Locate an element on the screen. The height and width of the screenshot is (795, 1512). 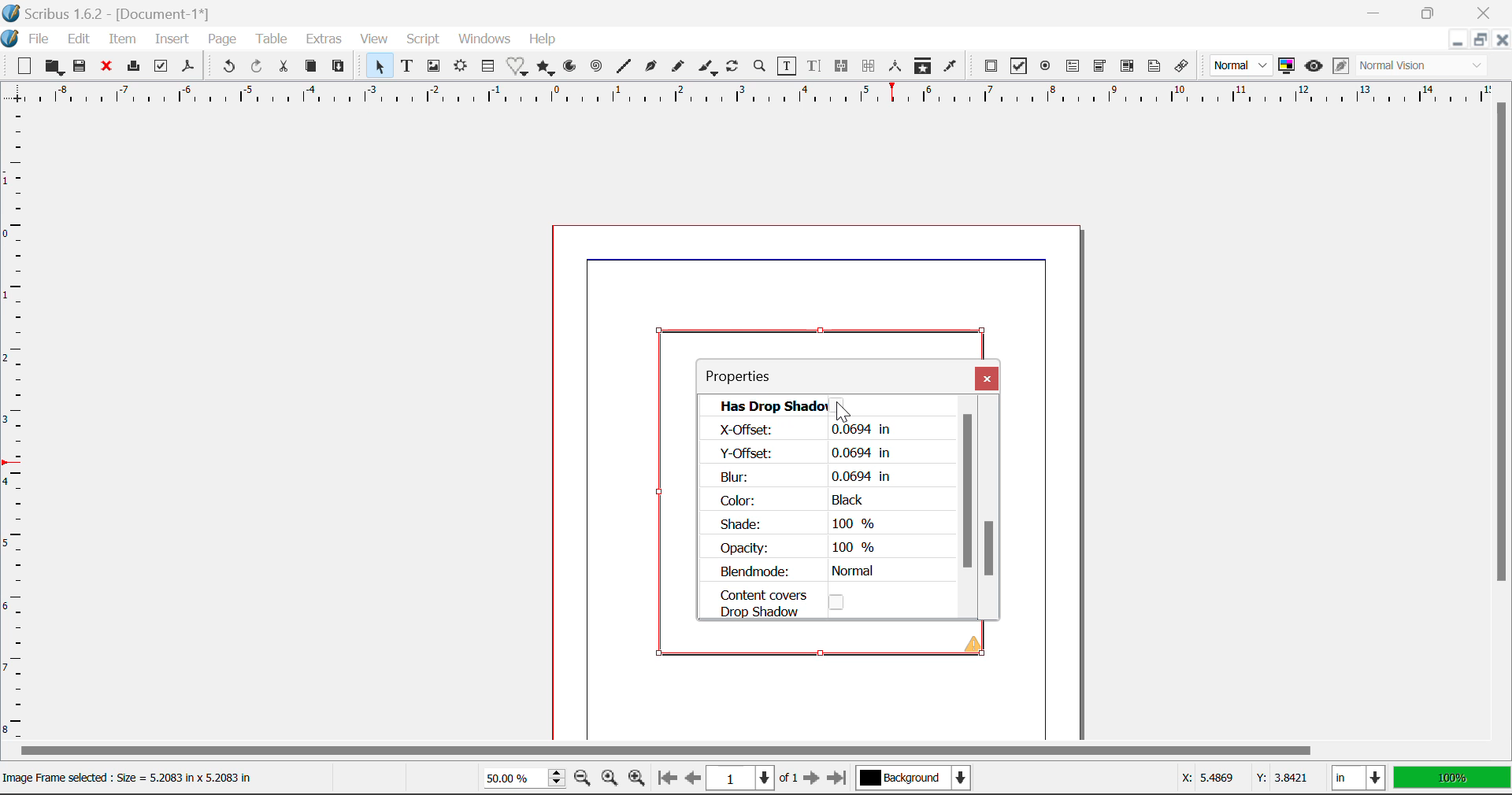
Copy is located at coordinates (311, 68).